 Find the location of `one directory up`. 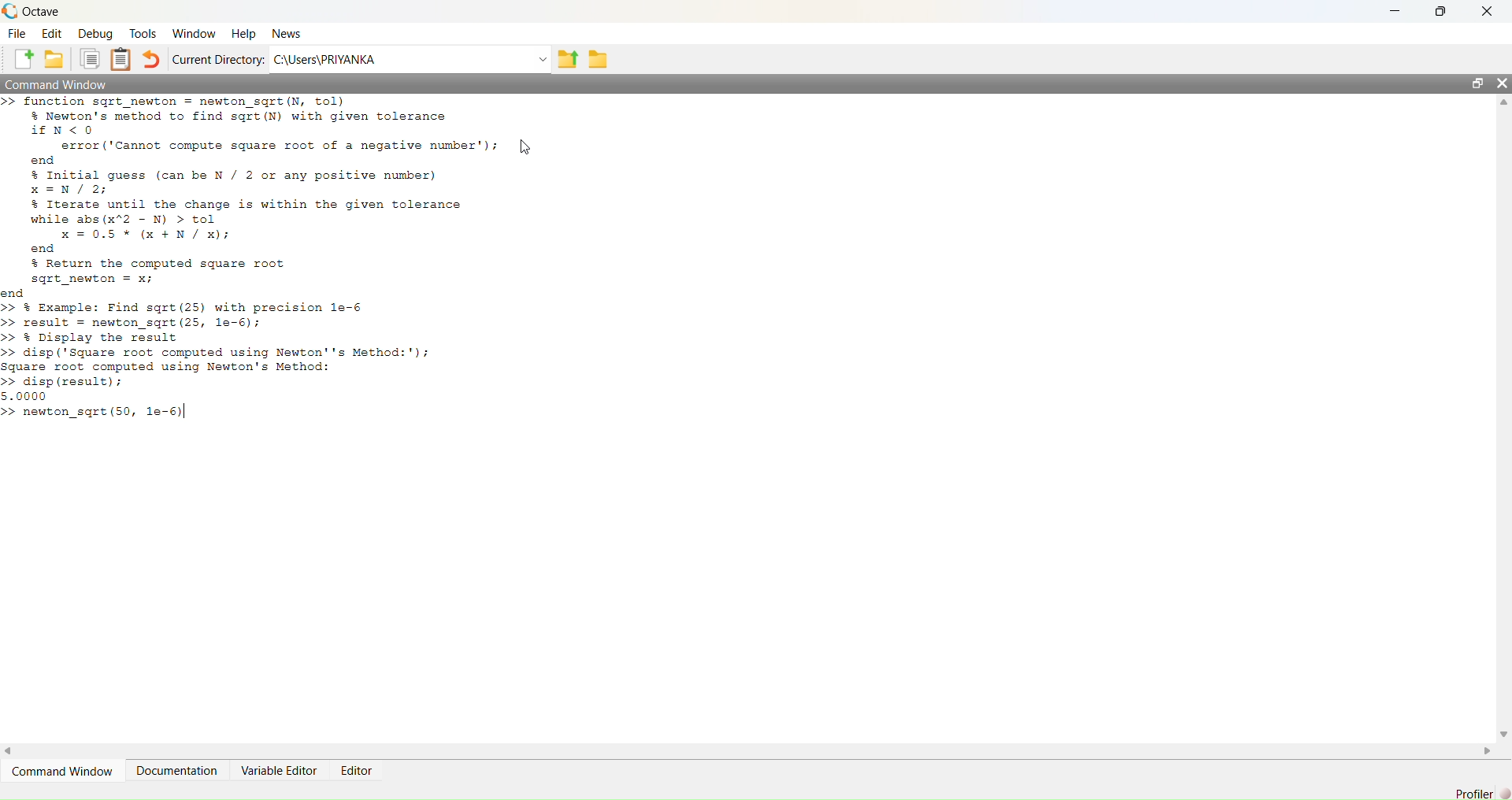

one directory up is located at coordinates (567, 57).